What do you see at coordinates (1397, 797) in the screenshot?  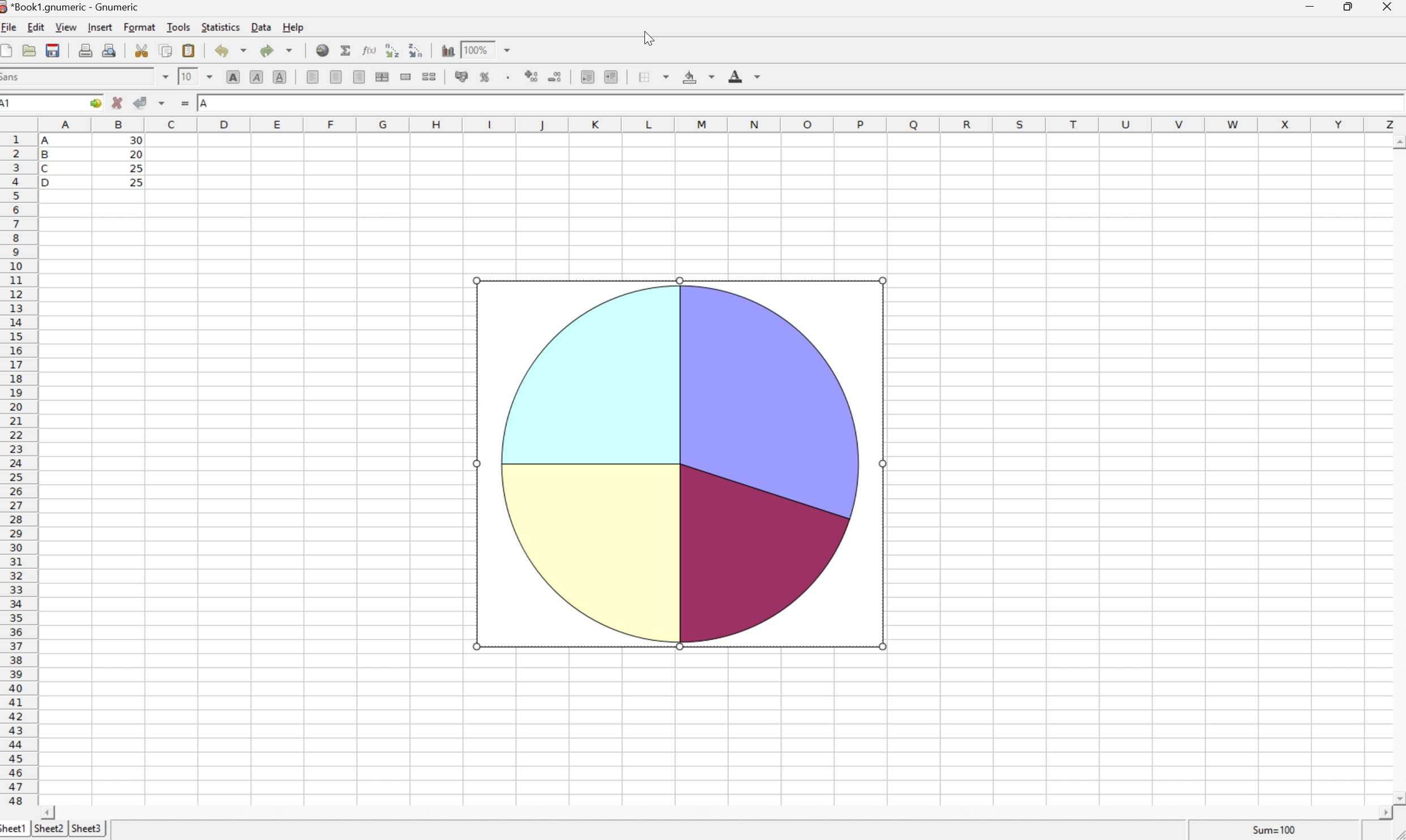 I see `Scroll Down` at bounding box center [1397, 797].